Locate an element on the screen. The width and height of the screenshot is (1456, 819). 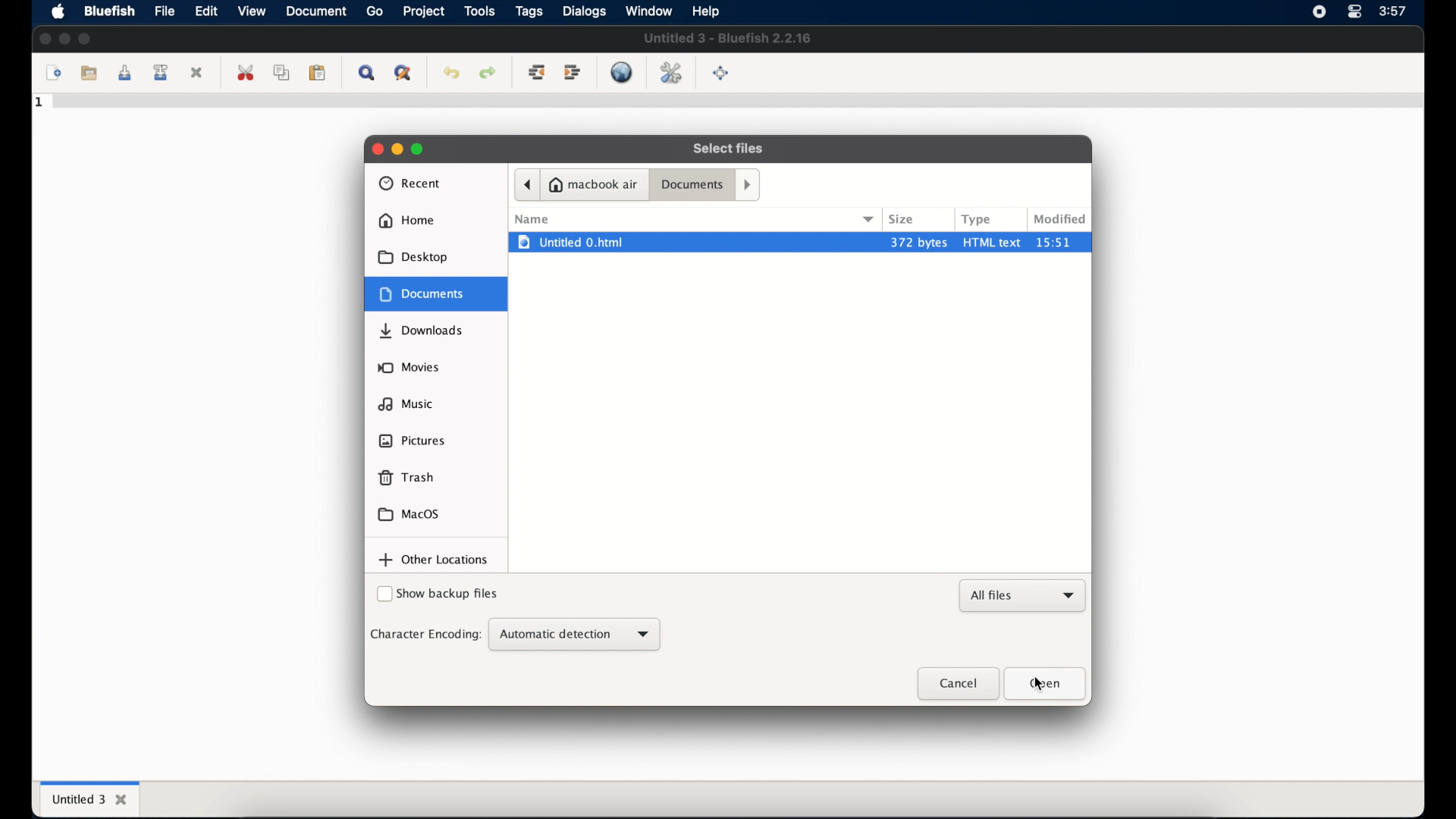
redo is located at coordinates (487, 74).